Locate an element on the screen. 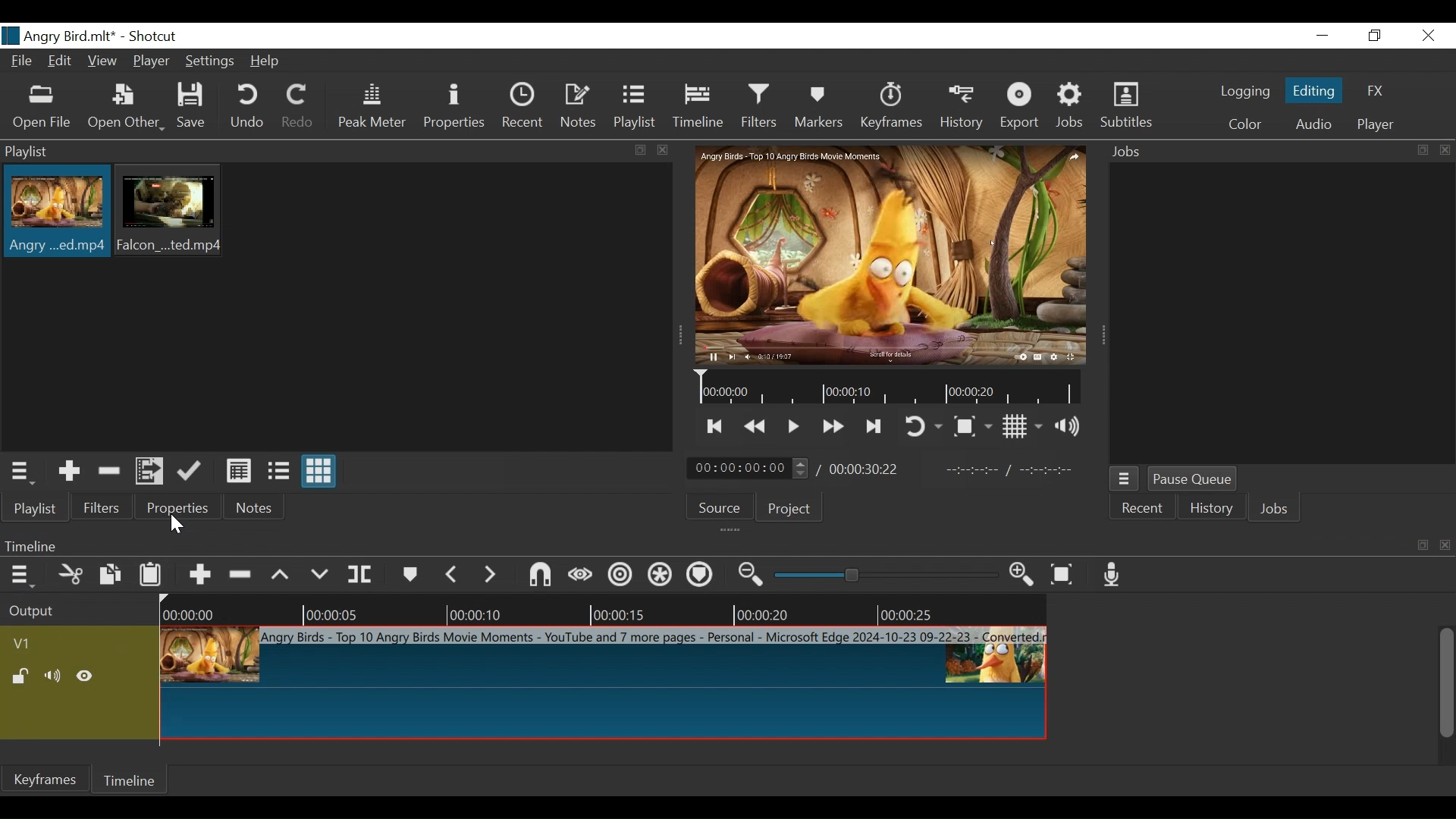 This screenshot has height=819, width=1456. Keyframes is located at coordinates (891, 108).